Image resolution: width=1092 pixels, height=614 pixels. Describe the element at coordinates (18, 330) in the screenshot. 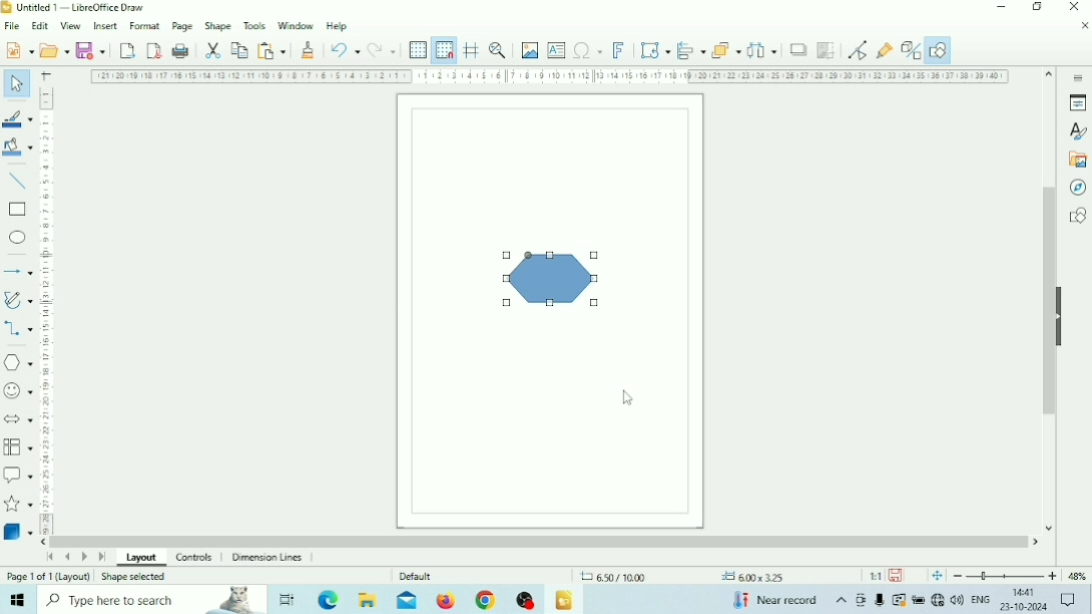

I see `Connectors` at that location.